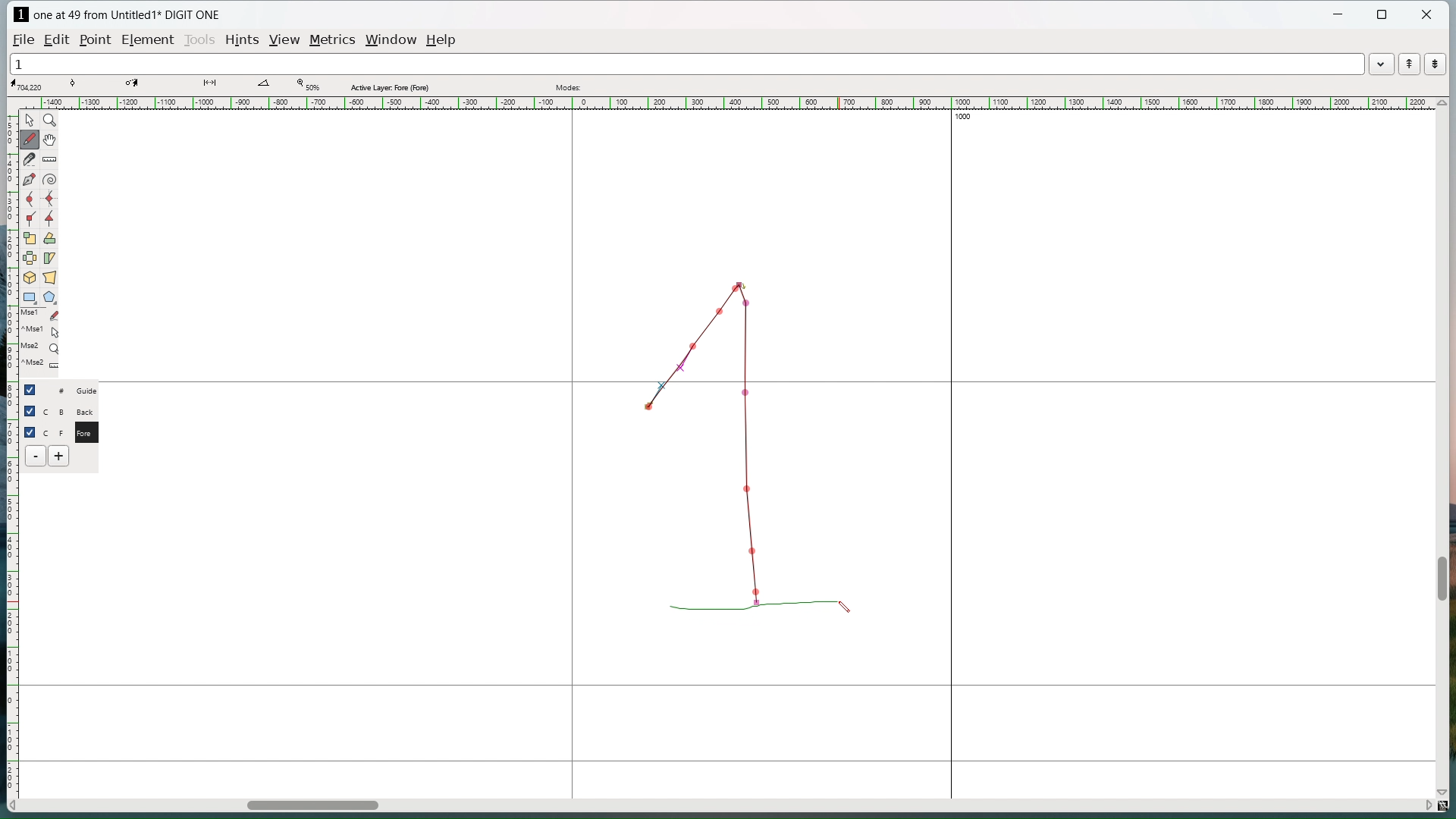  What do you see at coordinates (1340, 16) in the screenshot?
I see `minimize` at bounding box center [1340, 16].